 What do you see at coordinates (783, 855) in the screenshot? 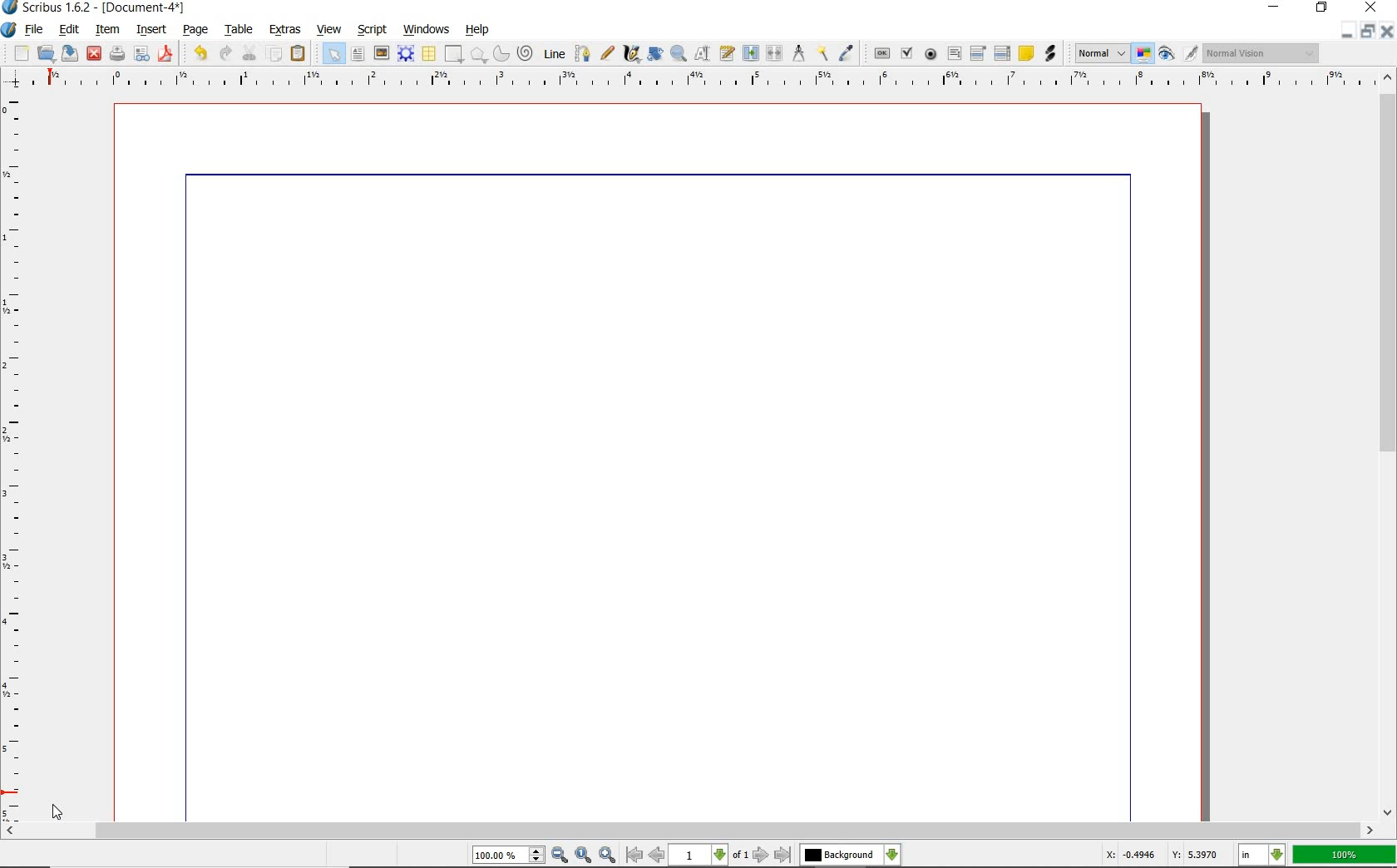
I see `go to last page` at bounding box center [783, 855].